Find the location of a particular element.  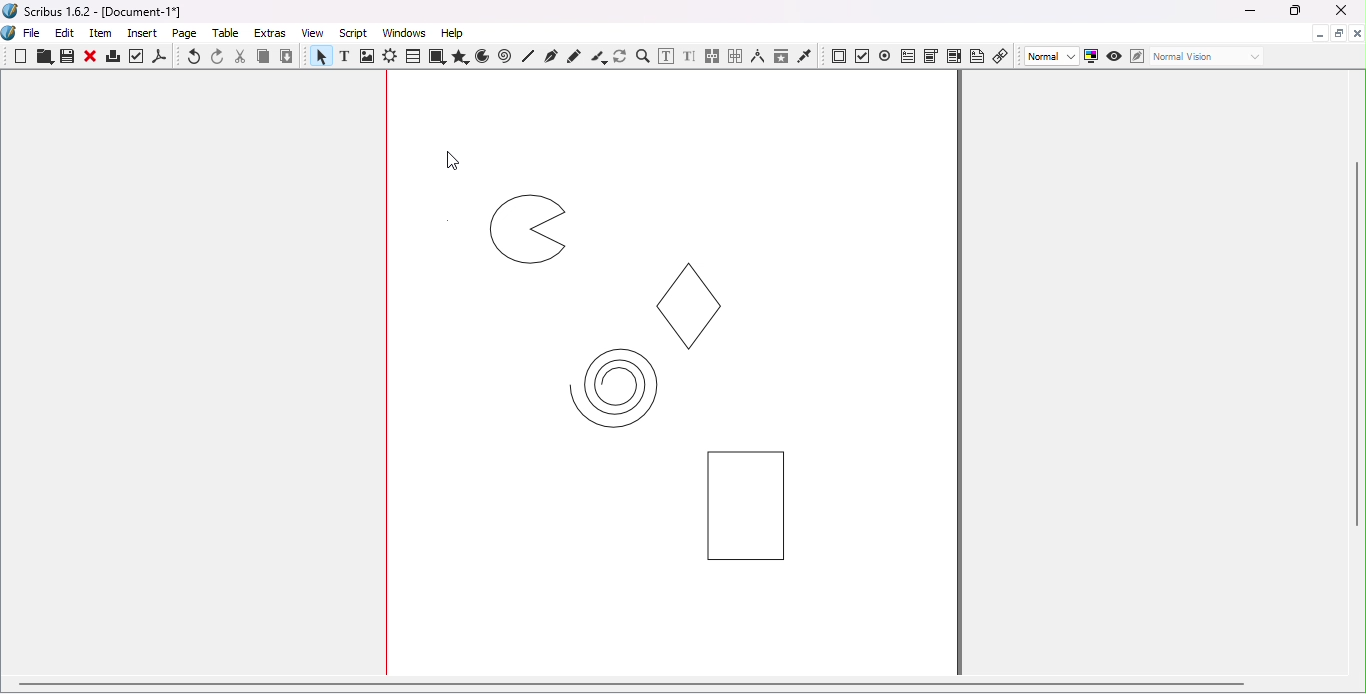

PDF combo box is located at coordinates (930, 56).